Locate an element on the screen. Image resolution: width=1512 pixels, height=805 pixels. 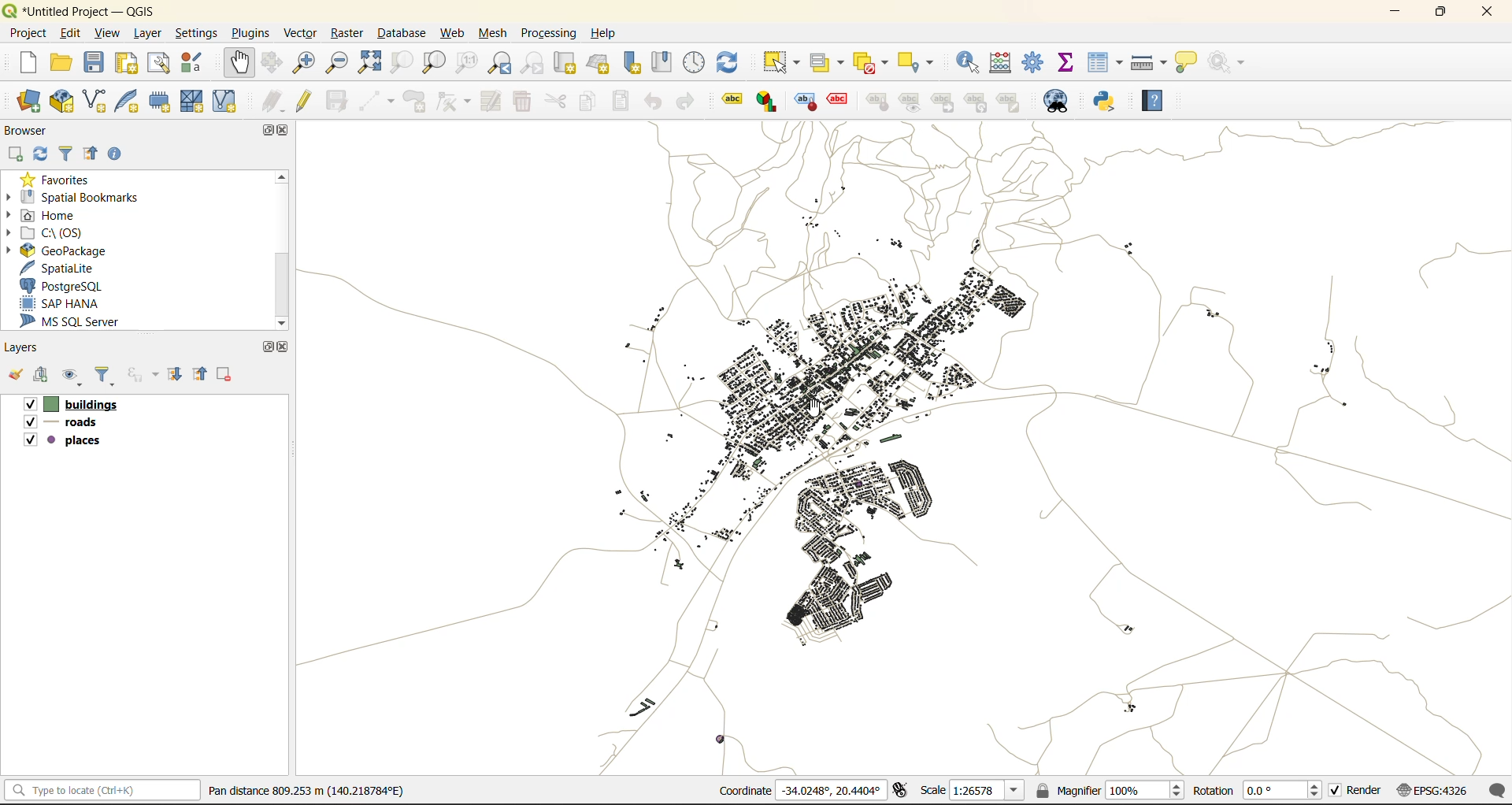
minimize is located at coordinates (1399, 15).